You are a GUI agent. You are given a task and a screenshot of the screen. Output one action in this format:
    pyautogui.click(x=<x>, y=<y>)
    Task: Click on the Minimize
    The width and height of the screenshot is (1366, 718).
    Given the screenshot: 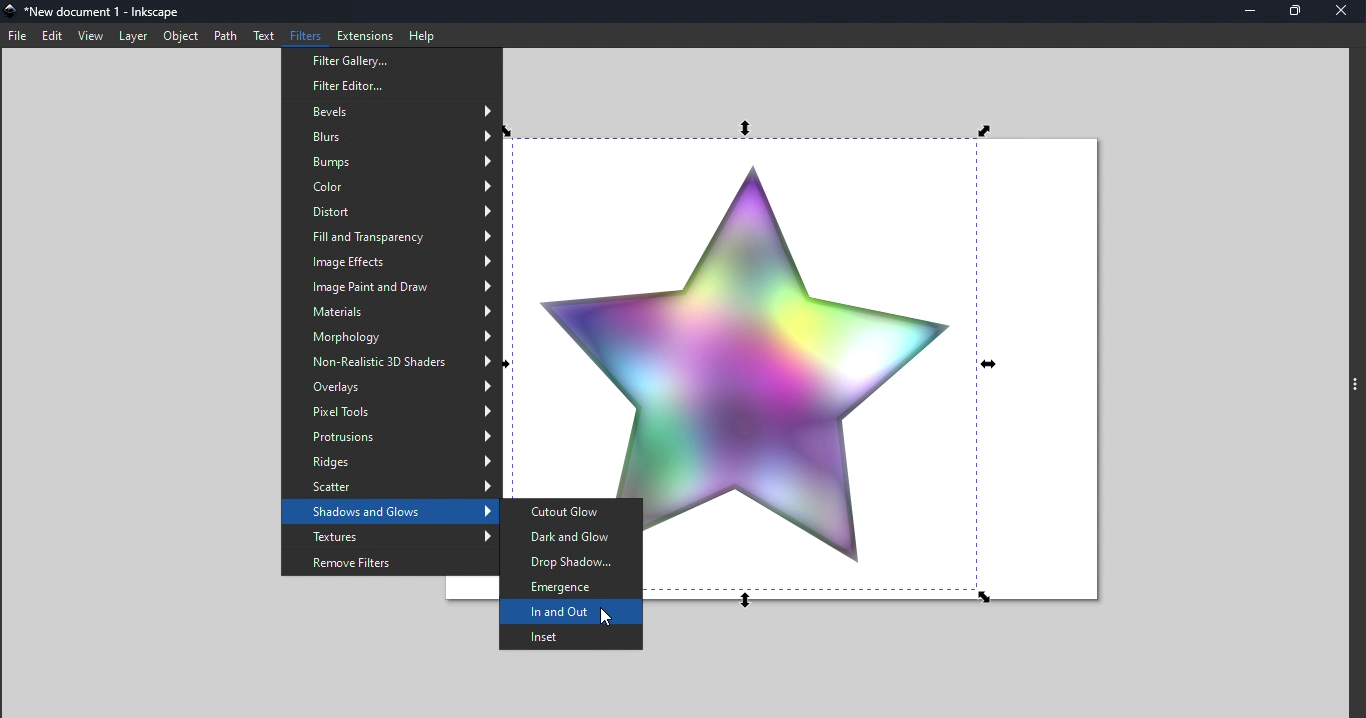 What is the action you would take?
    pyautogui.click(x=1245, y=12)
    